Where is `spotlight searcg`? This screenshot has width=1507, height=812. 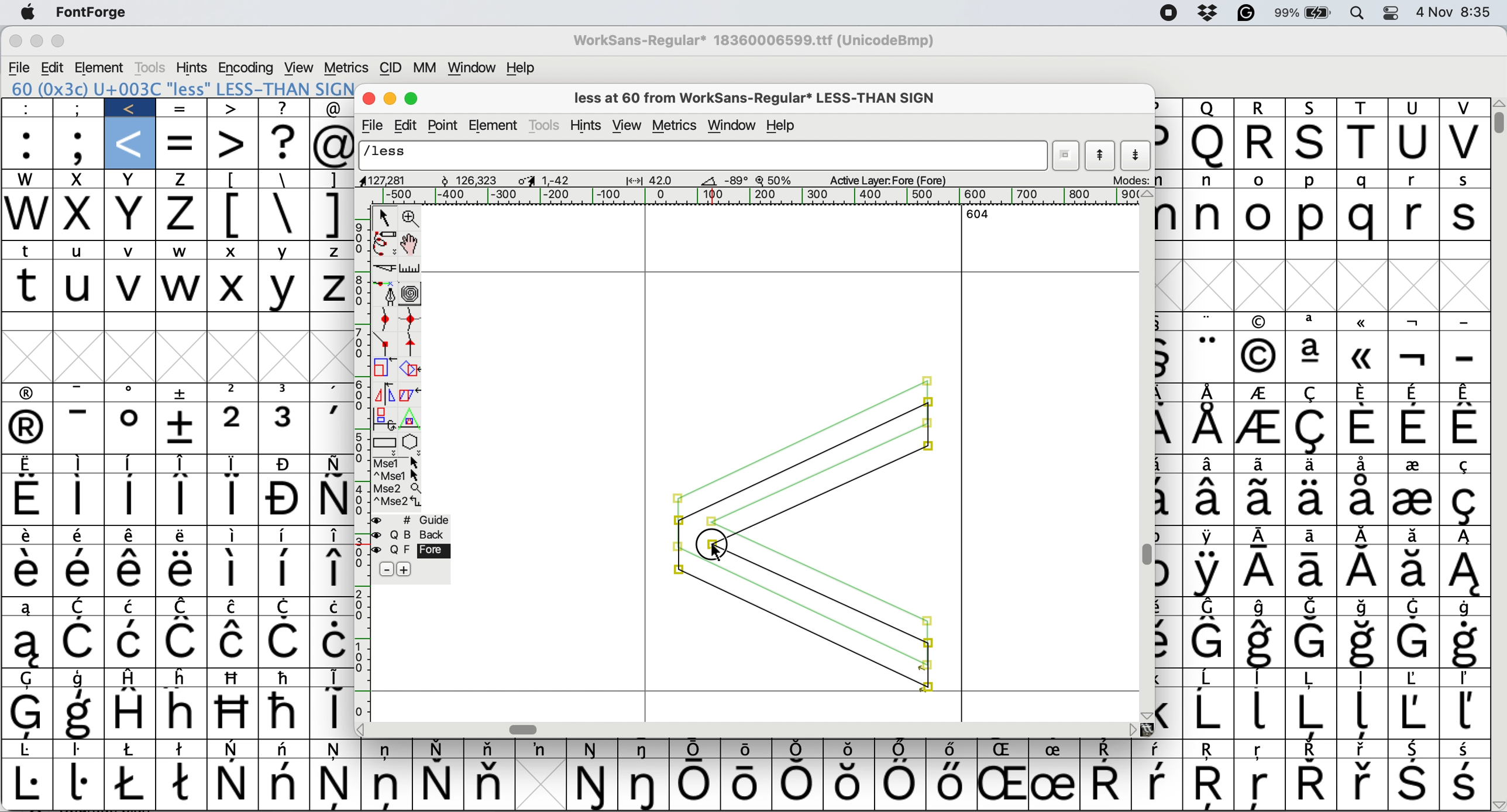
spotlight searcg is located at coordinates (1359, 15).